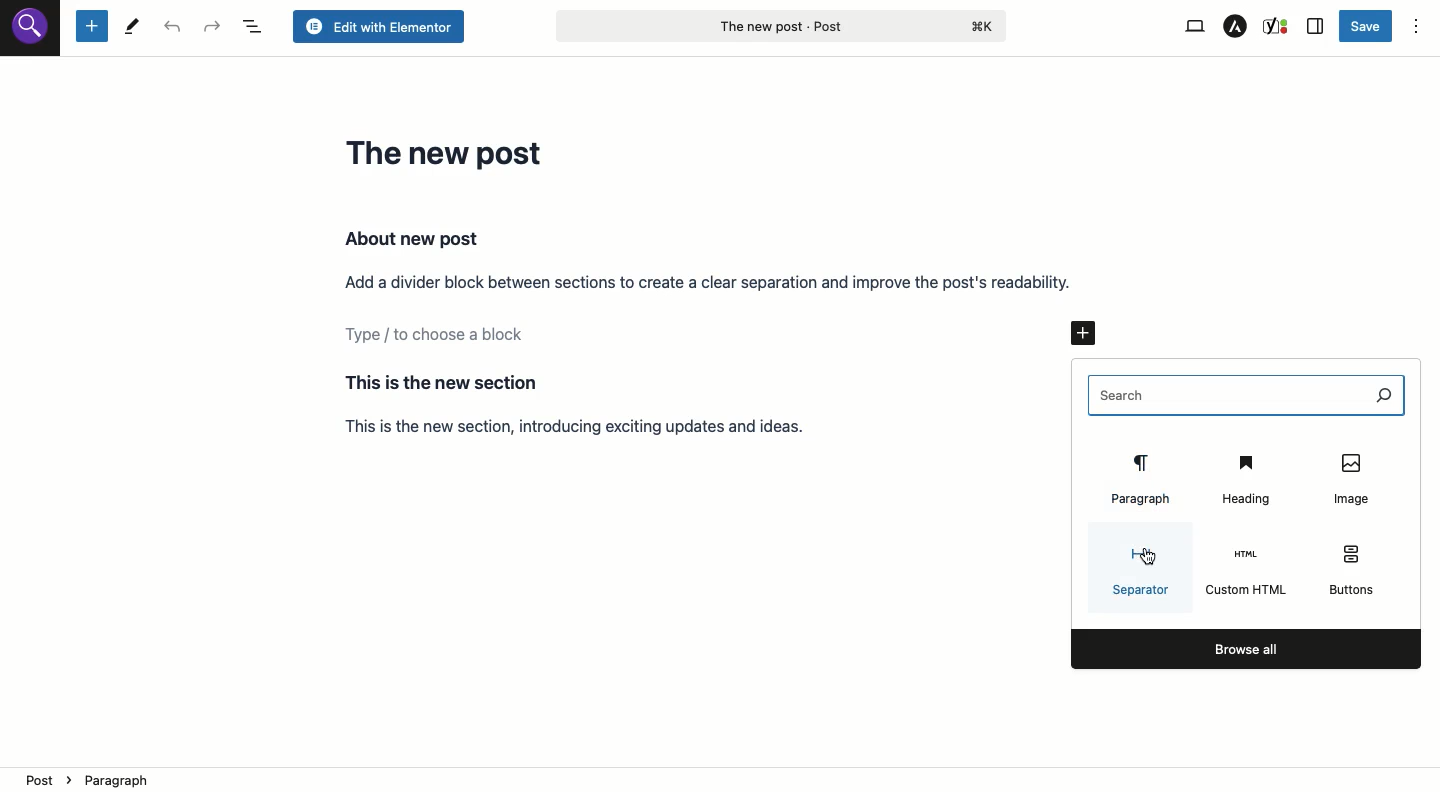 Image resolution: width=1440 pixels, height=792 pixels. What do you see at coordinates (255, 27) in the screenshot?
I see `Document overview` at bounding box center [255, 27].